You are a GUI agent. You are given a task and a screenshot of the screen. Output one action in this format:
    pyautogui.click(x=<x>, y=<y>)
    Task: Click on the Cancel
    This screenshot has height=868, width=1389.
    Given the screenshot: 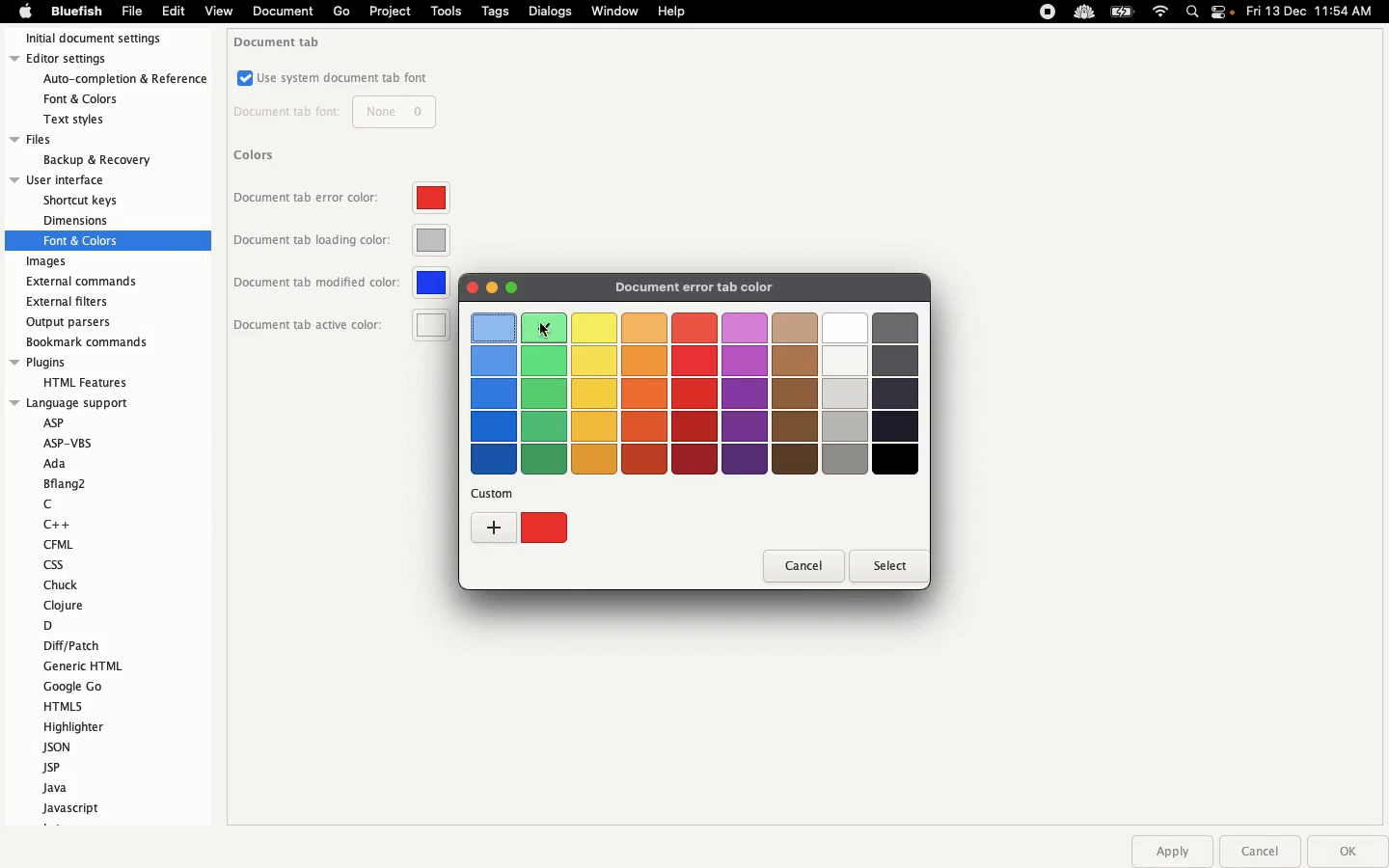 What is the action you would take?
    pyautogui.click(x=1259, y=851)
    